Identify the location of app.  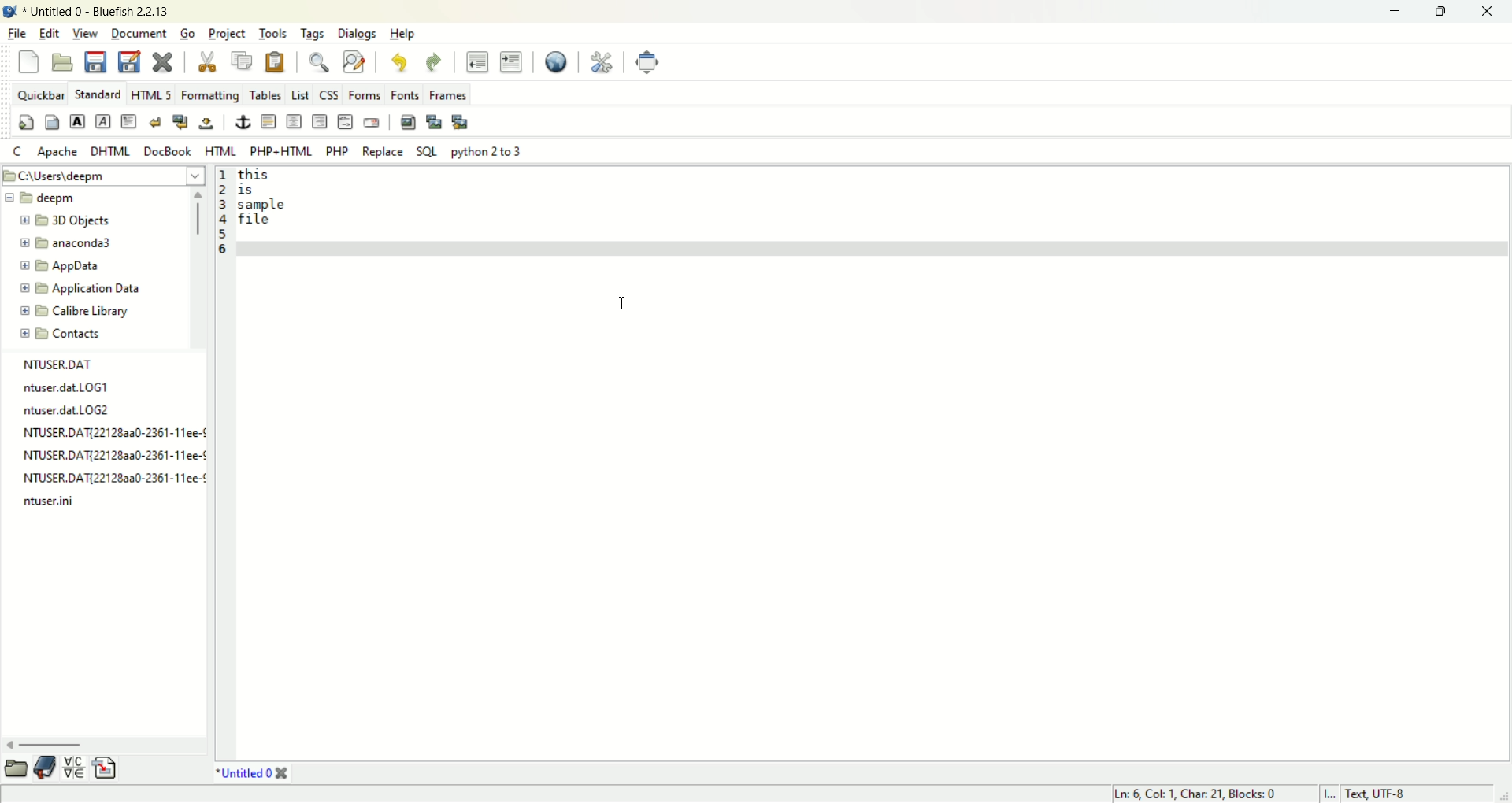
(65, 268).